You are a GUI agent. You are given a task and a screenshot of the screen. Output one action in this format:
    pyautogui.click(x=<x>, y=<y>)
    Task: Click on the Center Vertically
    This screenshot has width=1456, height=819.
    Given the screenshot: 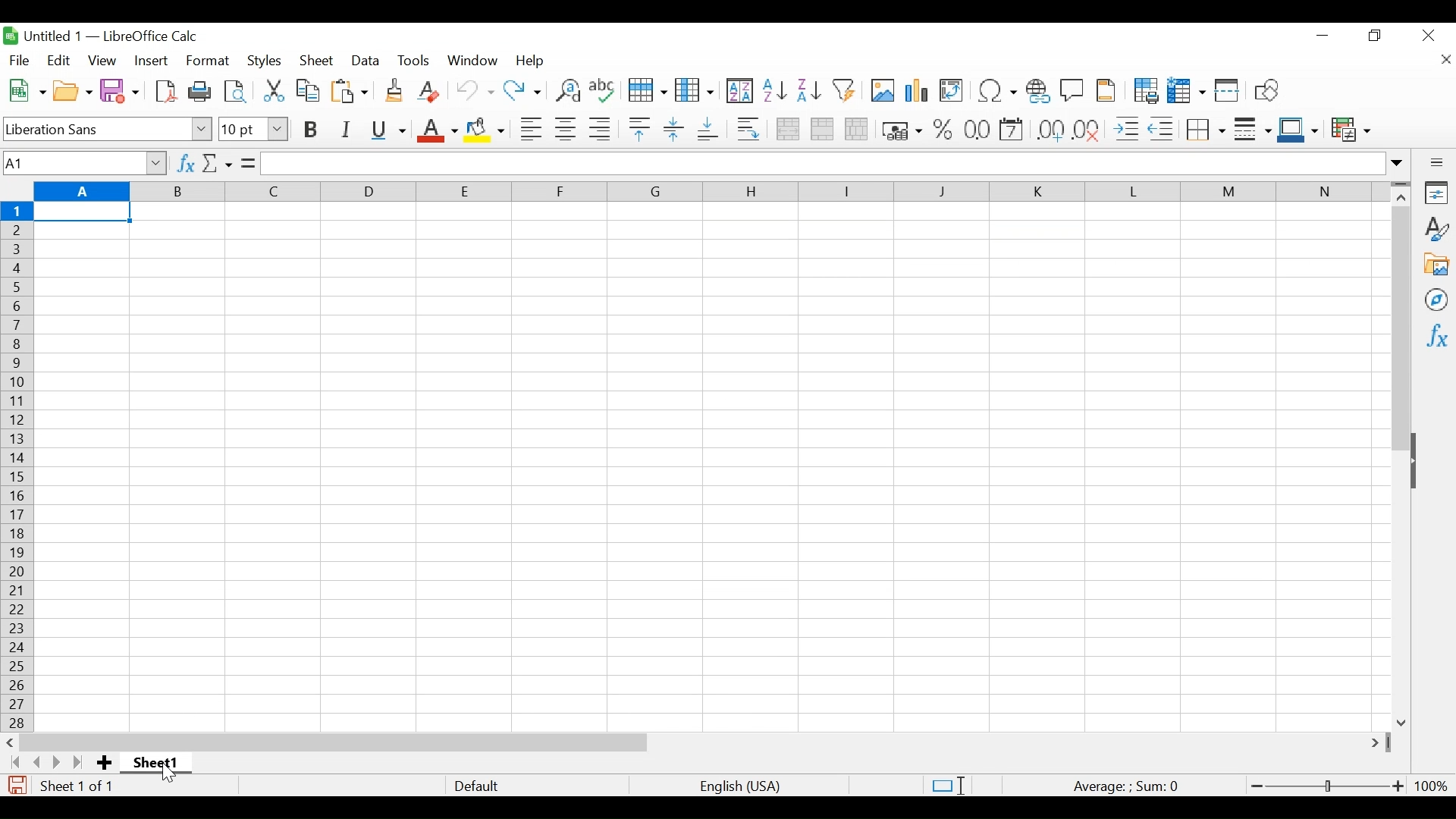 What is the action you would take?
    pyautogui.click(x=673, y=130)
    